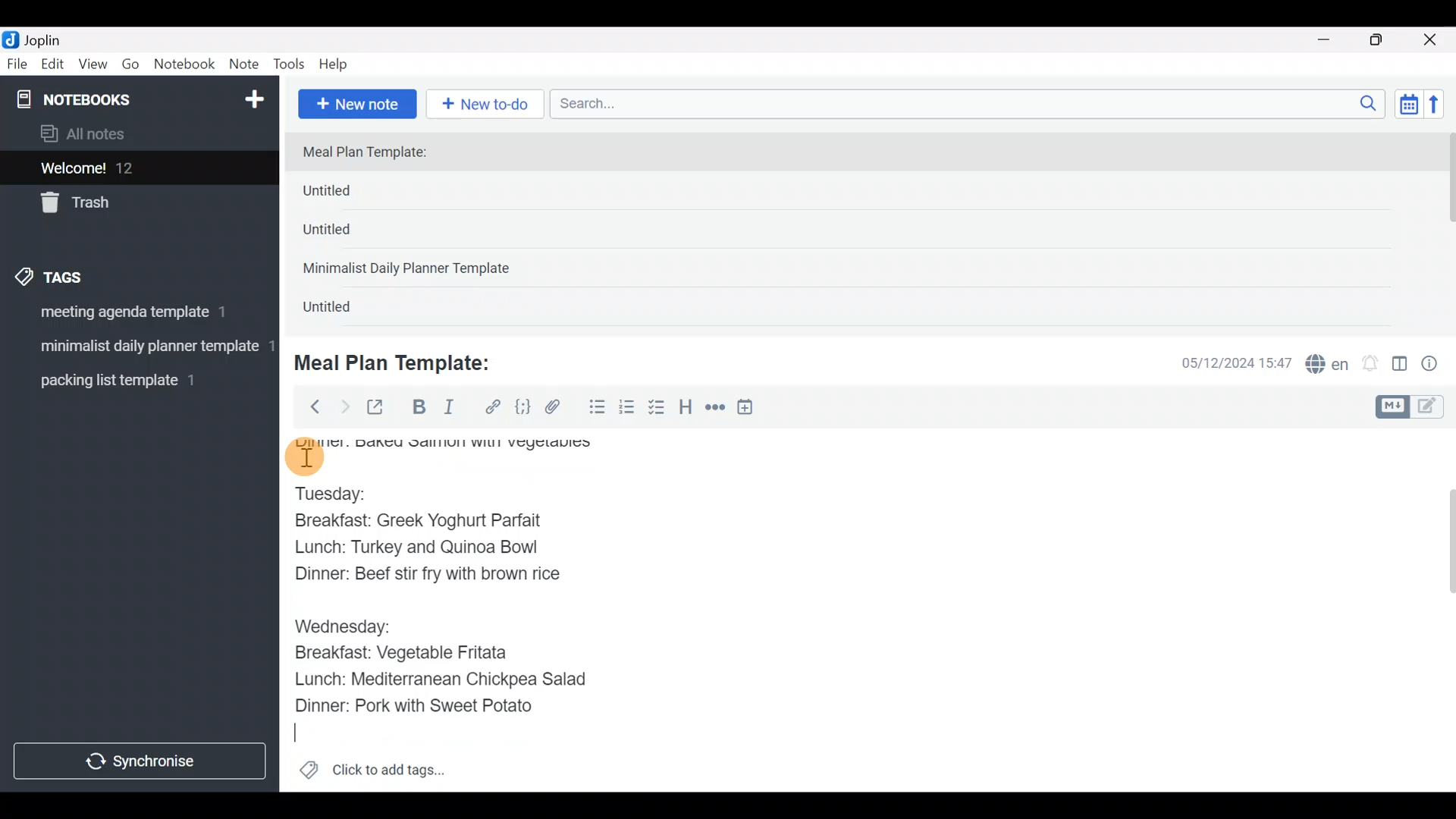 The image size is (1456, 819). What do you see at coordinates (627, 410) in the screenshot?
I see `Numbered list` at bounding box center [627, 410].